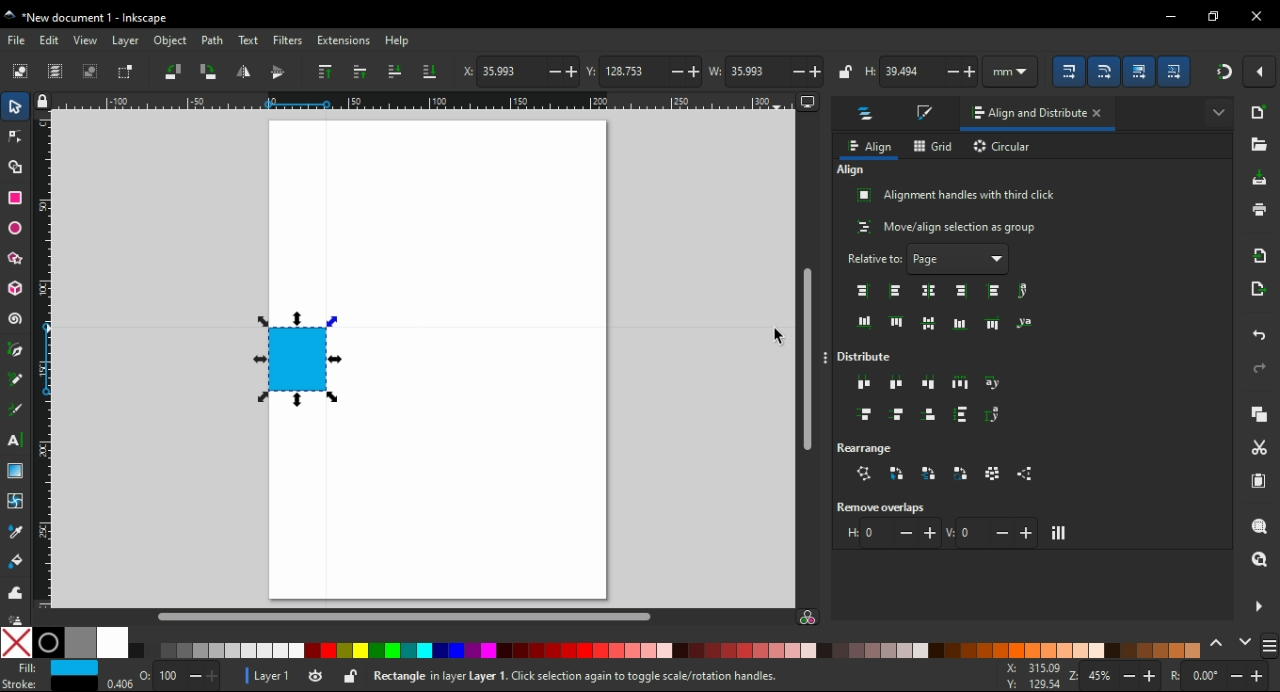  What do you see at coordinates (1216, 16) in the screenshot?
I see `restore` at bounding box center [1216, 16].